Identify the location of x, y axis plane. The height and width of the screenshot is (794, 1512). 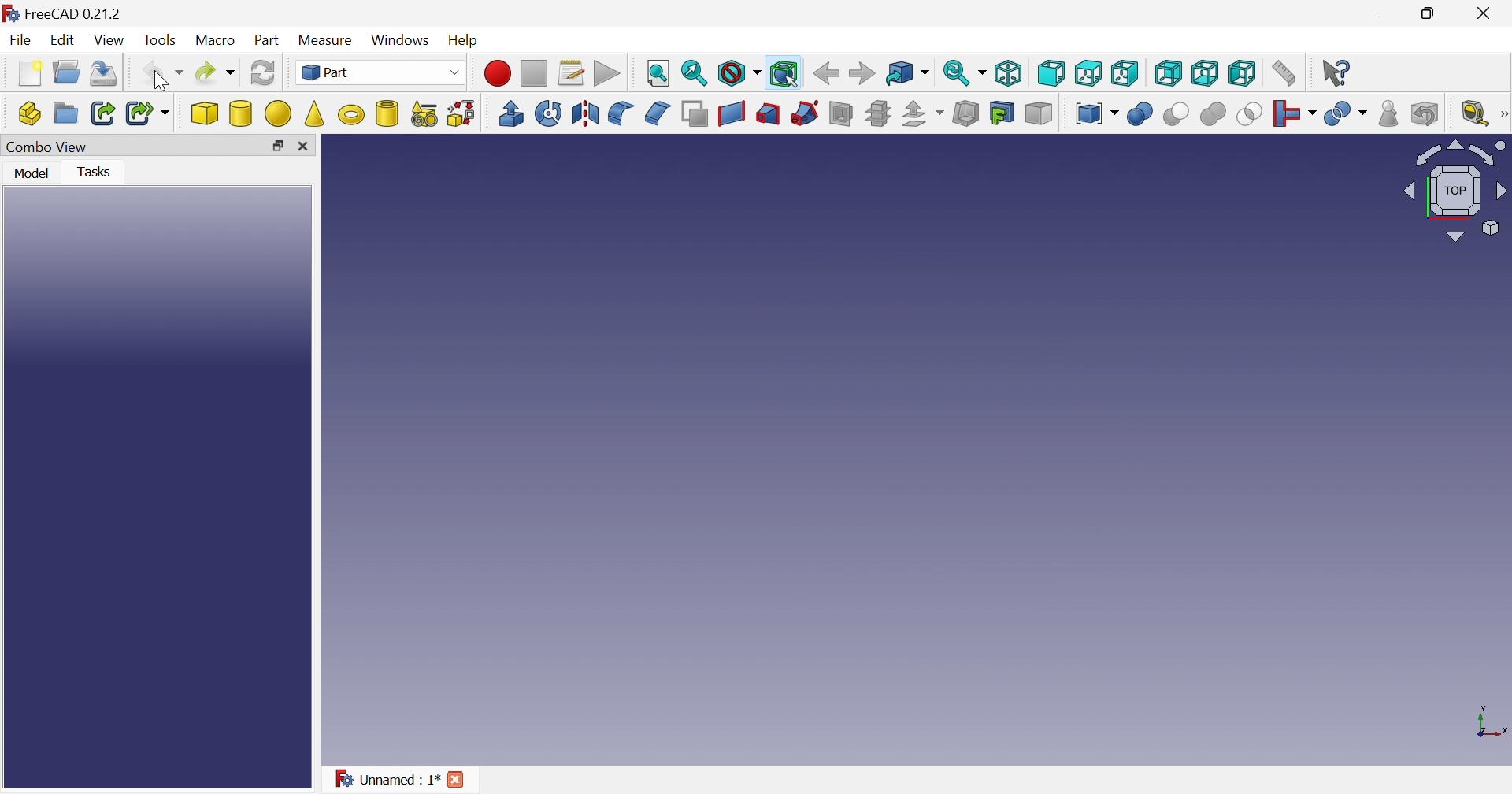
(1488, 721).